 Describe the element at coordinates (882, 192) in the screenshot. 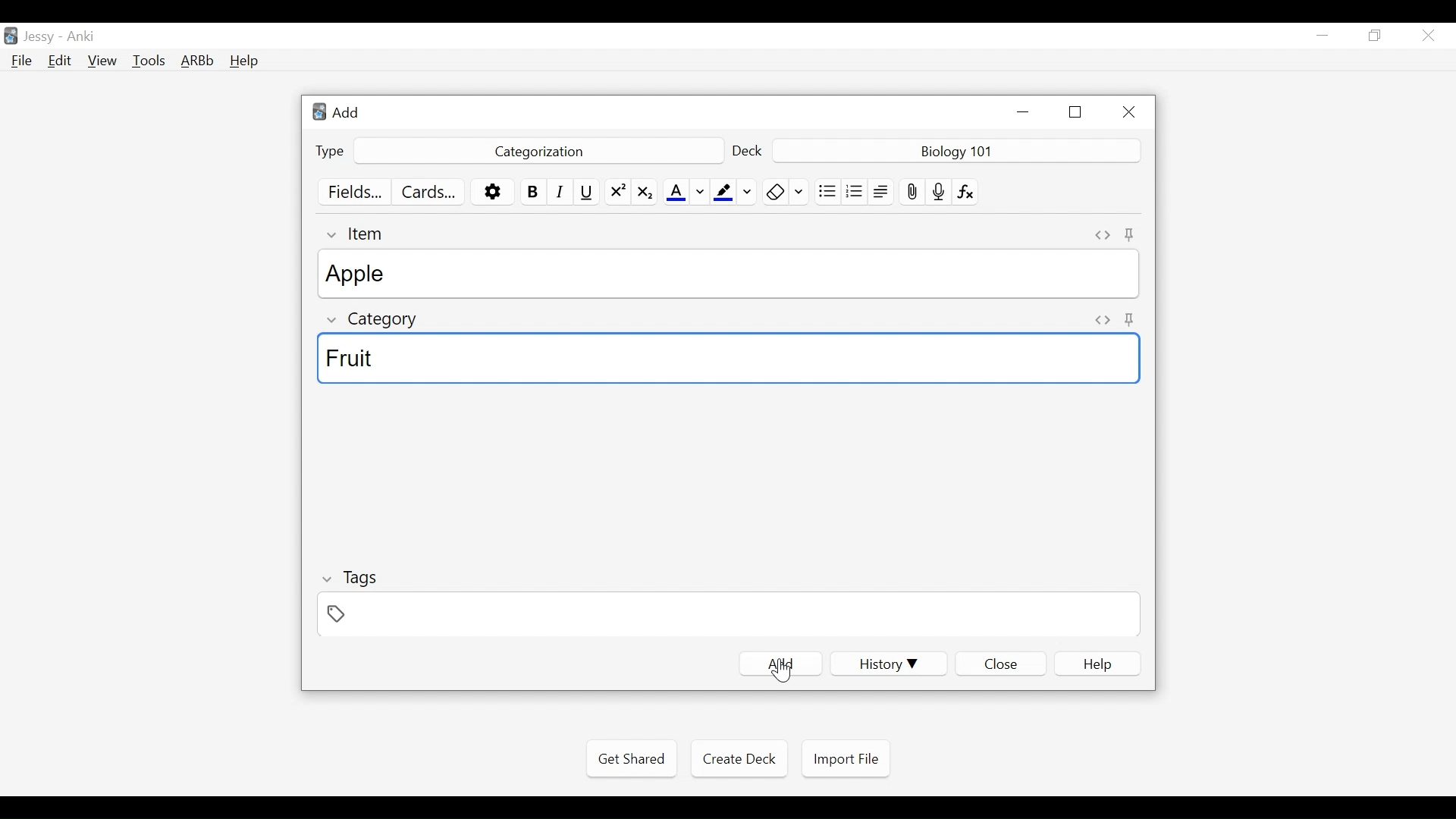

I see `Alignment` at that location.